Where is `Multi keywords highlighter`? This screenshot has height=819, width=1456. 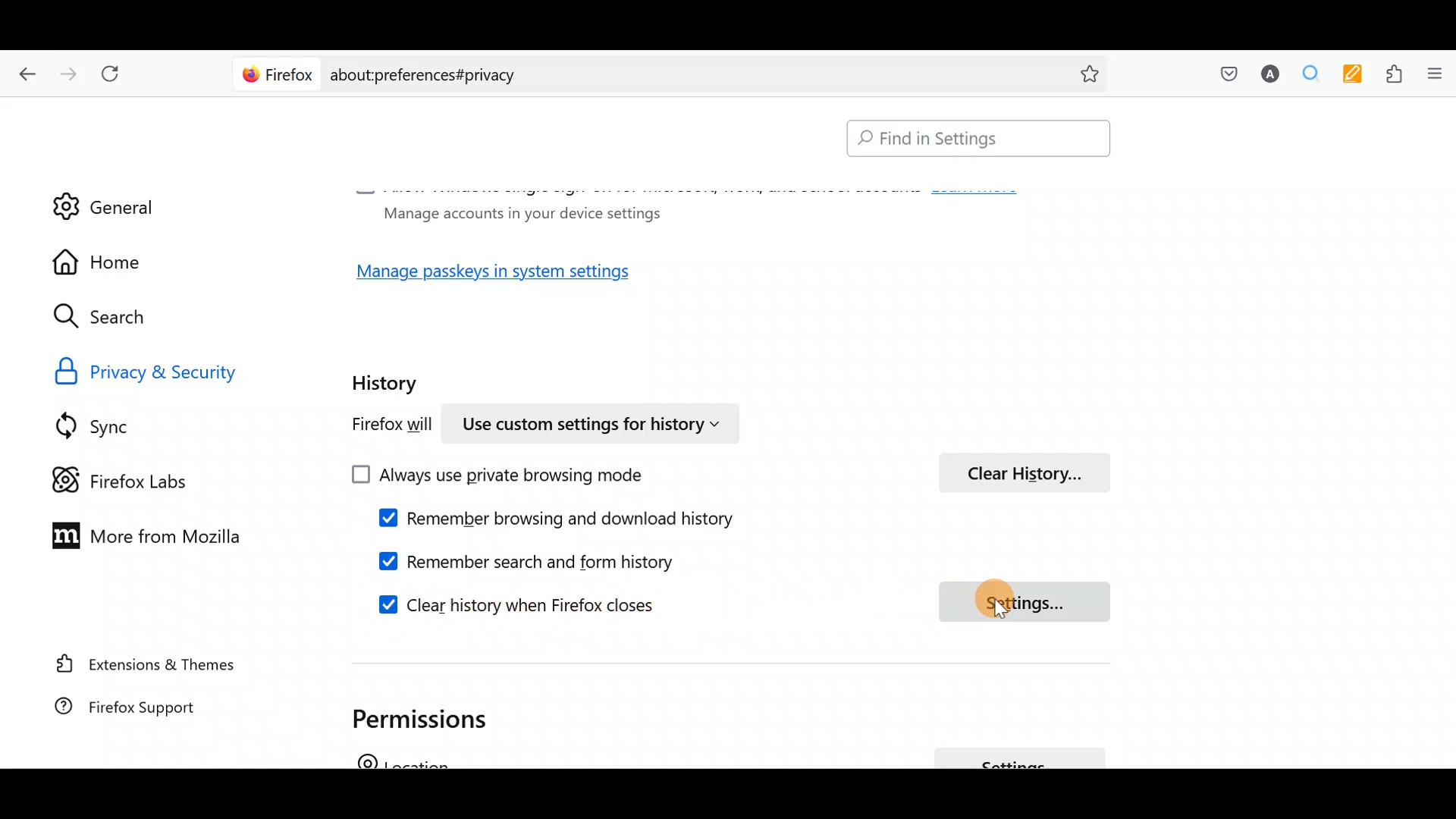 Multi keywords highlighter is located at coordinates (1348, 76).